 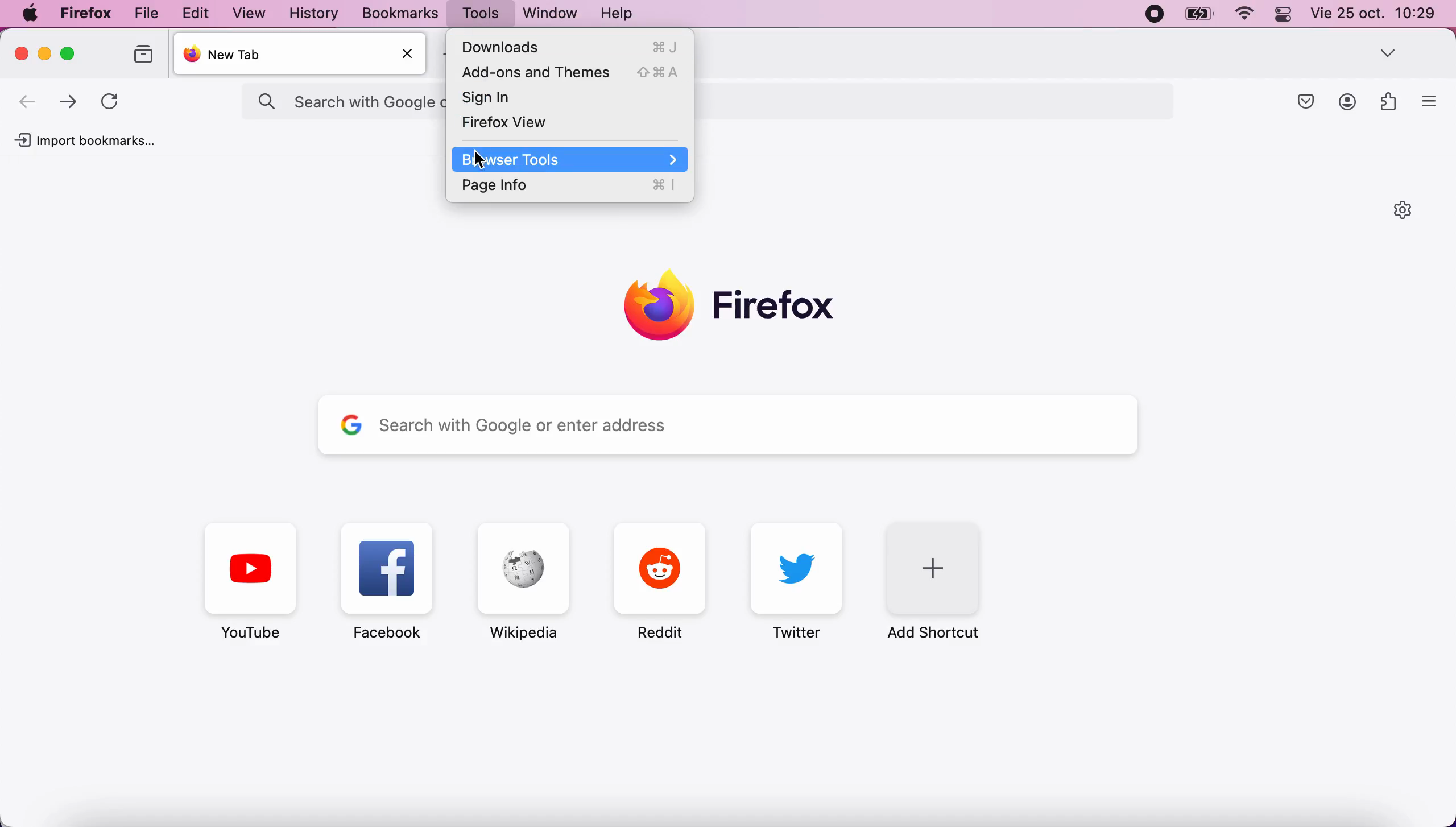 What do you see at coordinates (1405, 210) in the screenshot?
I see `Settings` at bounding box center [1405, 210].